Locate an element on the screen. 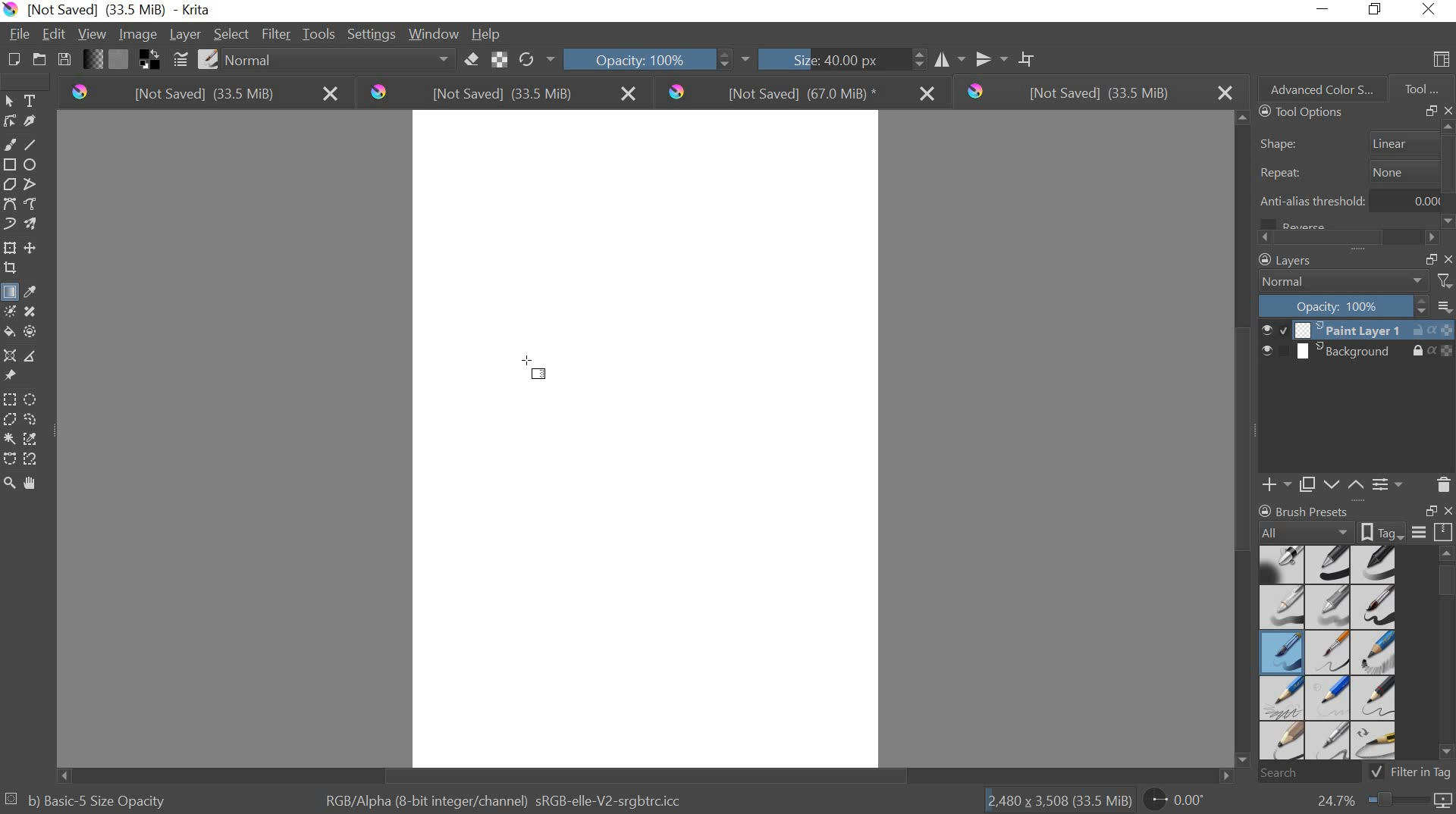  MOVE LAYER UP OR DOWN is located at coordinates (1341, 484).